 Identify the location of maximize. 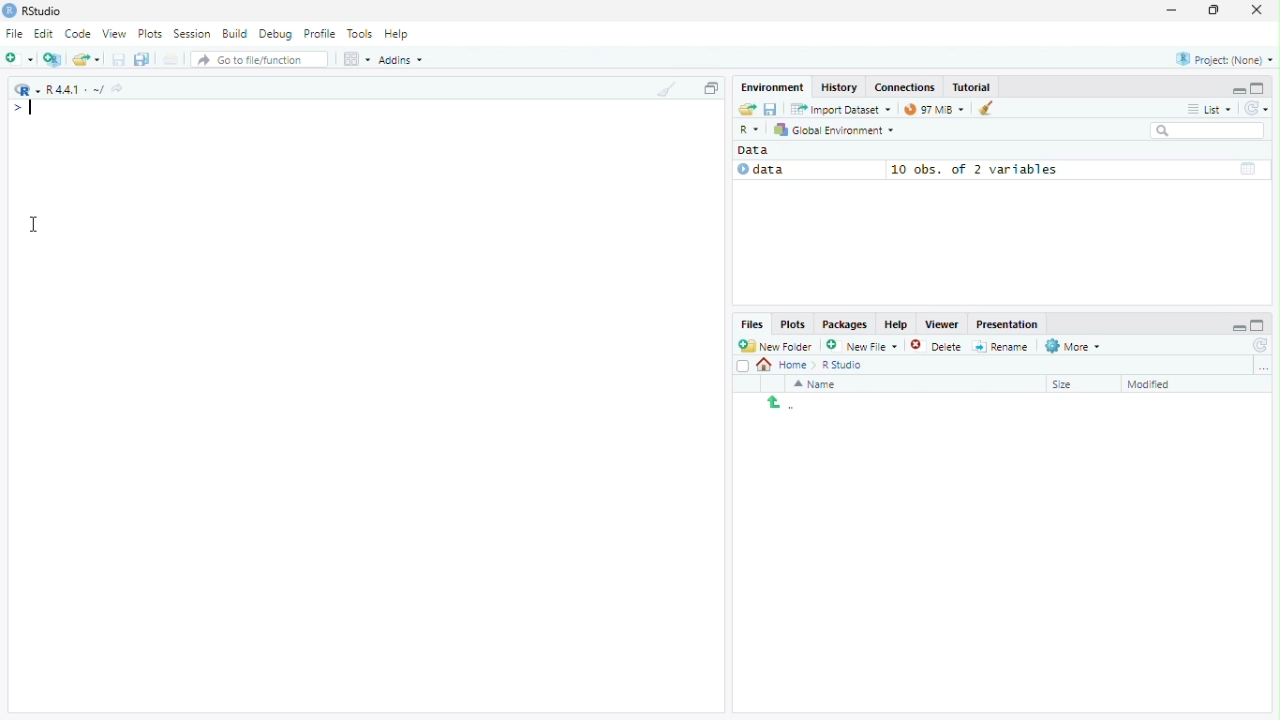
(1260, 88).